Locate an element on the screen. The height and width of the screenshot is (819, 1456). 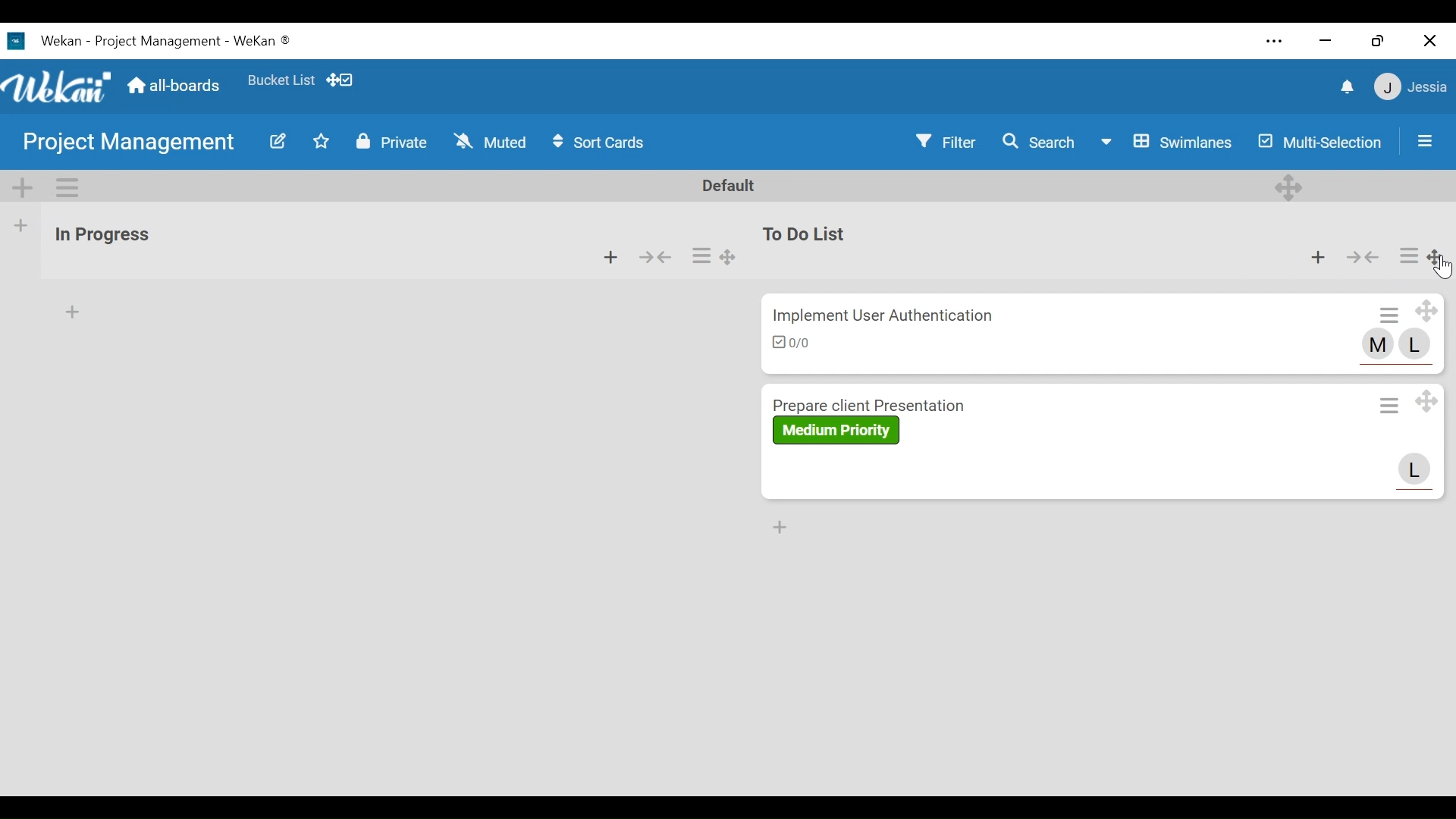
L is located at coordinates (1416, 344).